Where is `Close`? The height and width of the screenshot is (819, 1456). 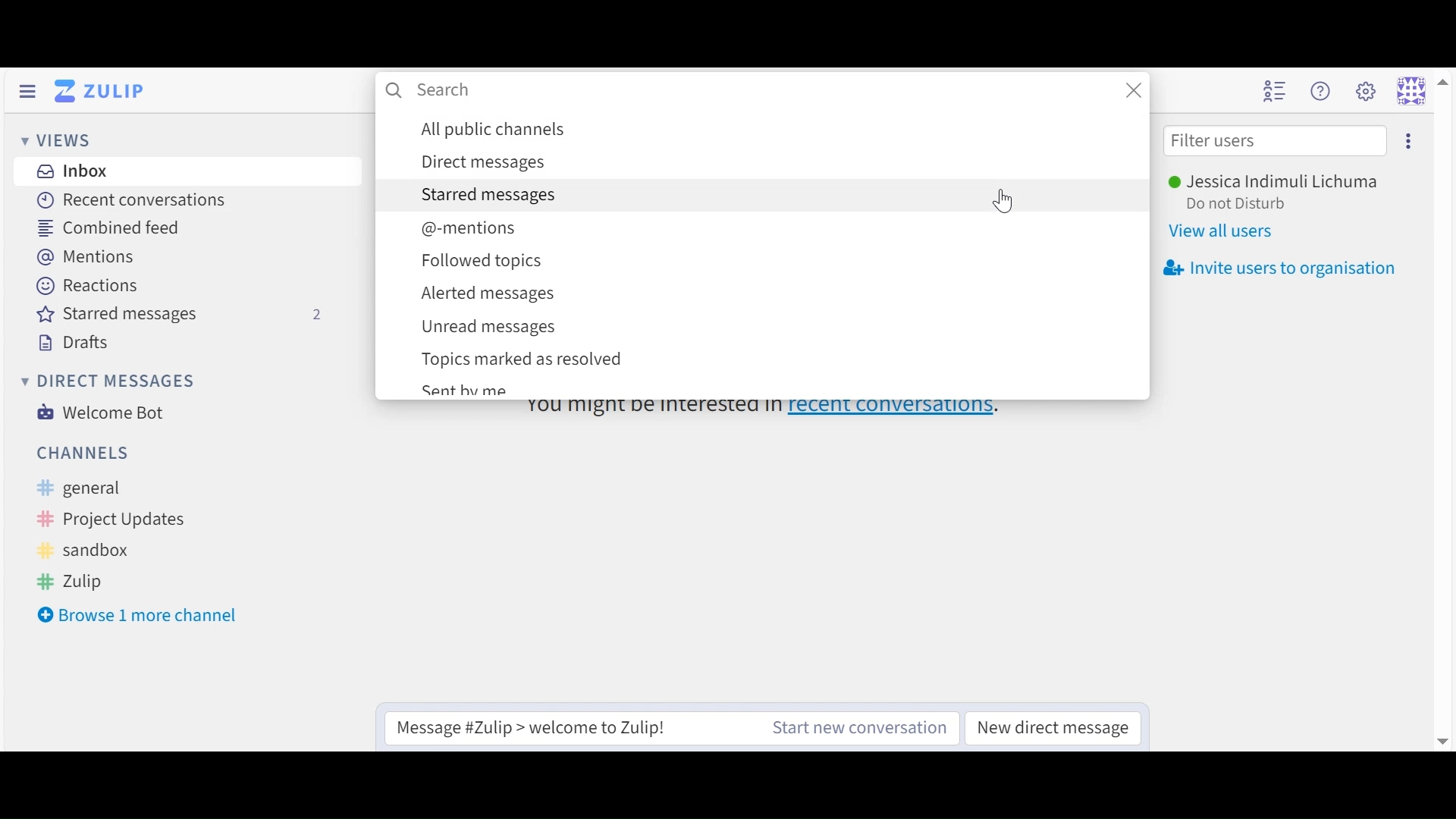
Close is located at coordinates (1134, 90).